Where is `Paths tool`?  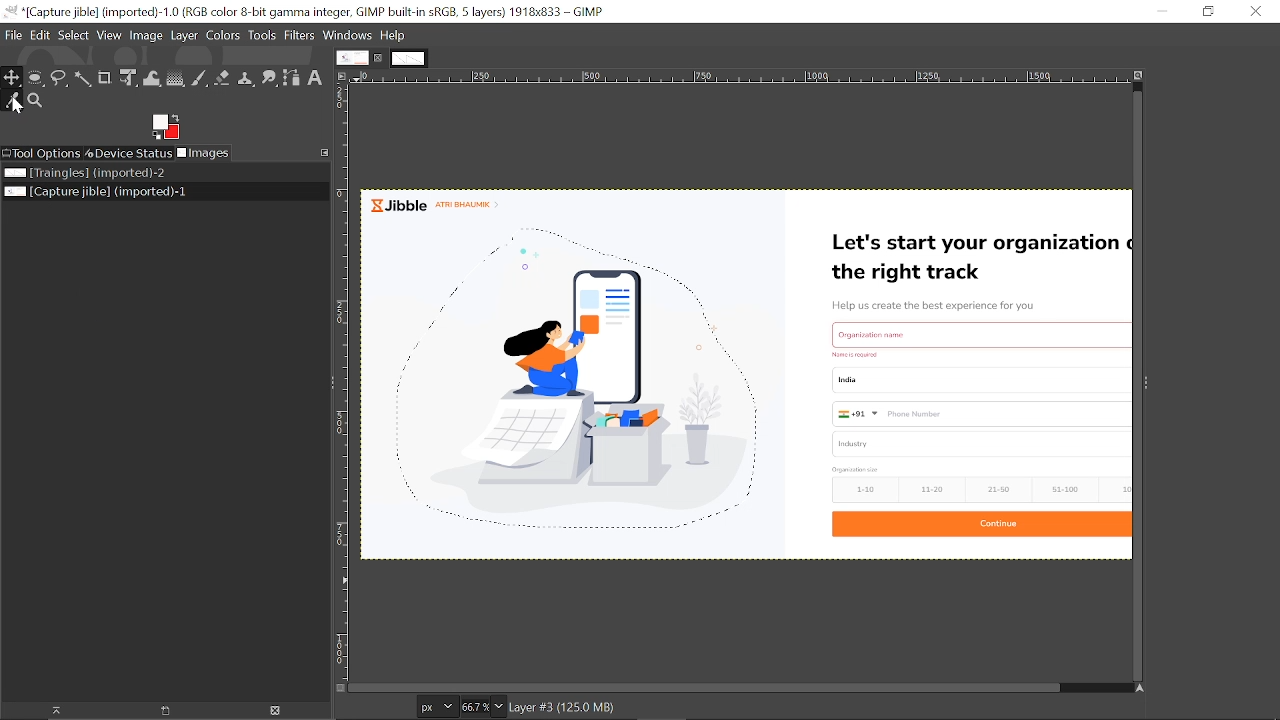
Paths tool is located at coordinates (291, 80).